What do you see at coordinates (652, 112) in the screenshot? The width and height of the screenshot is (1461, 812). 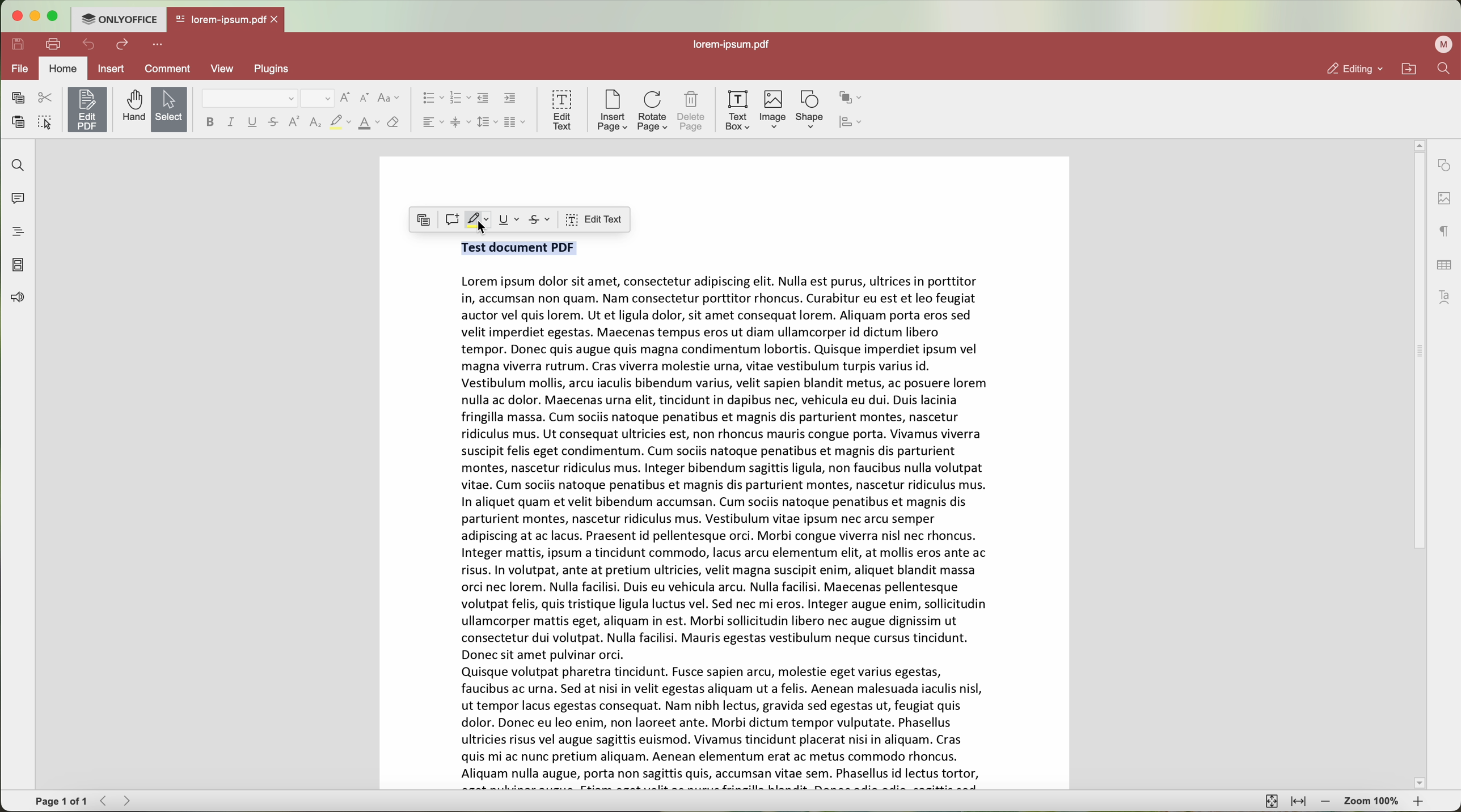 I see `rotate page` at bounding box center [652, 112].